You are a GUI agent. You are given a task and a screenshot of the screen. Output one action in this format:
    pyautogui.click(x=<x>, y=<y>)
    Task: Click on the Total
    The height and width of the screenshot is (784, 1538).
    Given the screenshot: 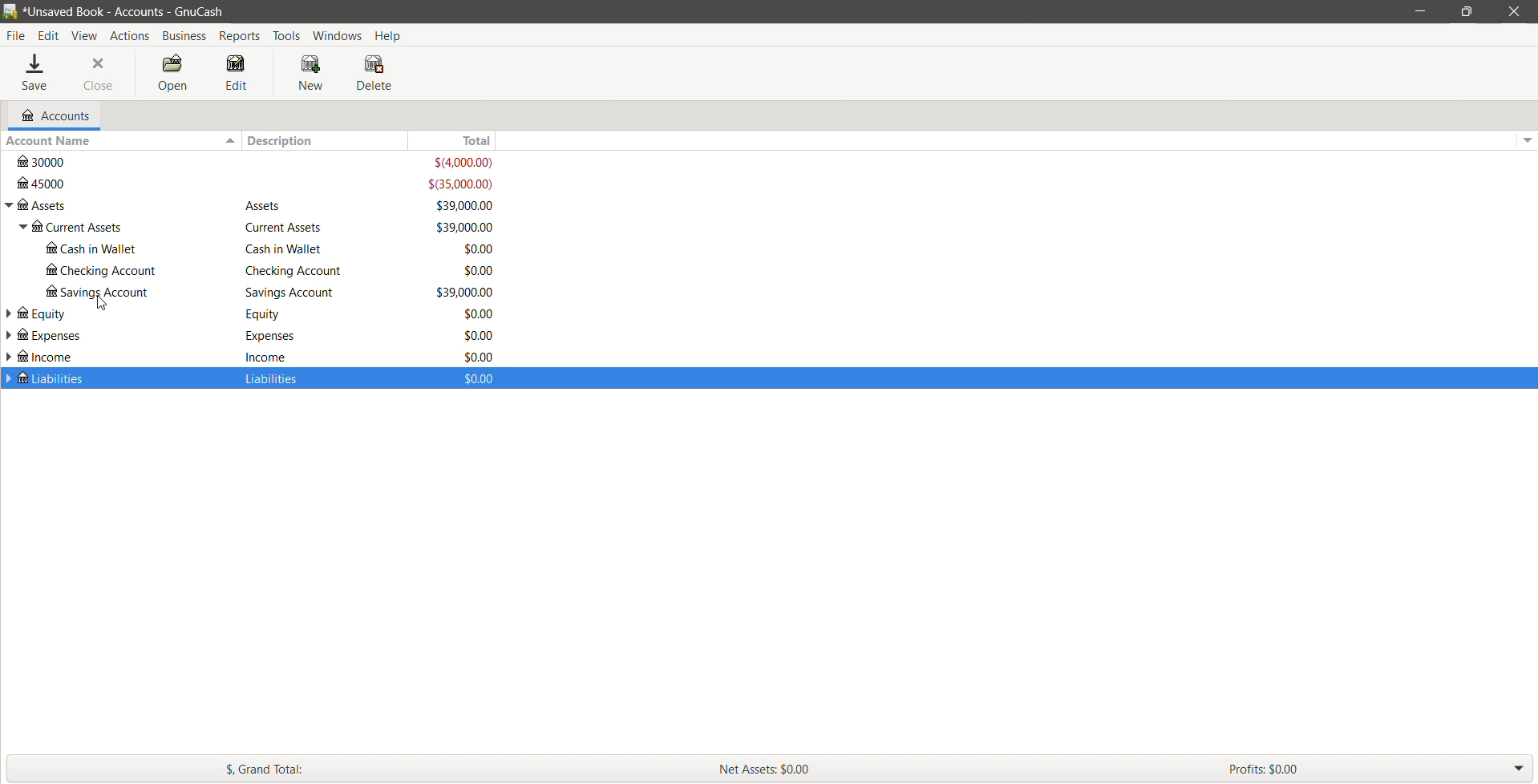 What is the action you would take?
    pyautogui.click(x=963, y=139)
    